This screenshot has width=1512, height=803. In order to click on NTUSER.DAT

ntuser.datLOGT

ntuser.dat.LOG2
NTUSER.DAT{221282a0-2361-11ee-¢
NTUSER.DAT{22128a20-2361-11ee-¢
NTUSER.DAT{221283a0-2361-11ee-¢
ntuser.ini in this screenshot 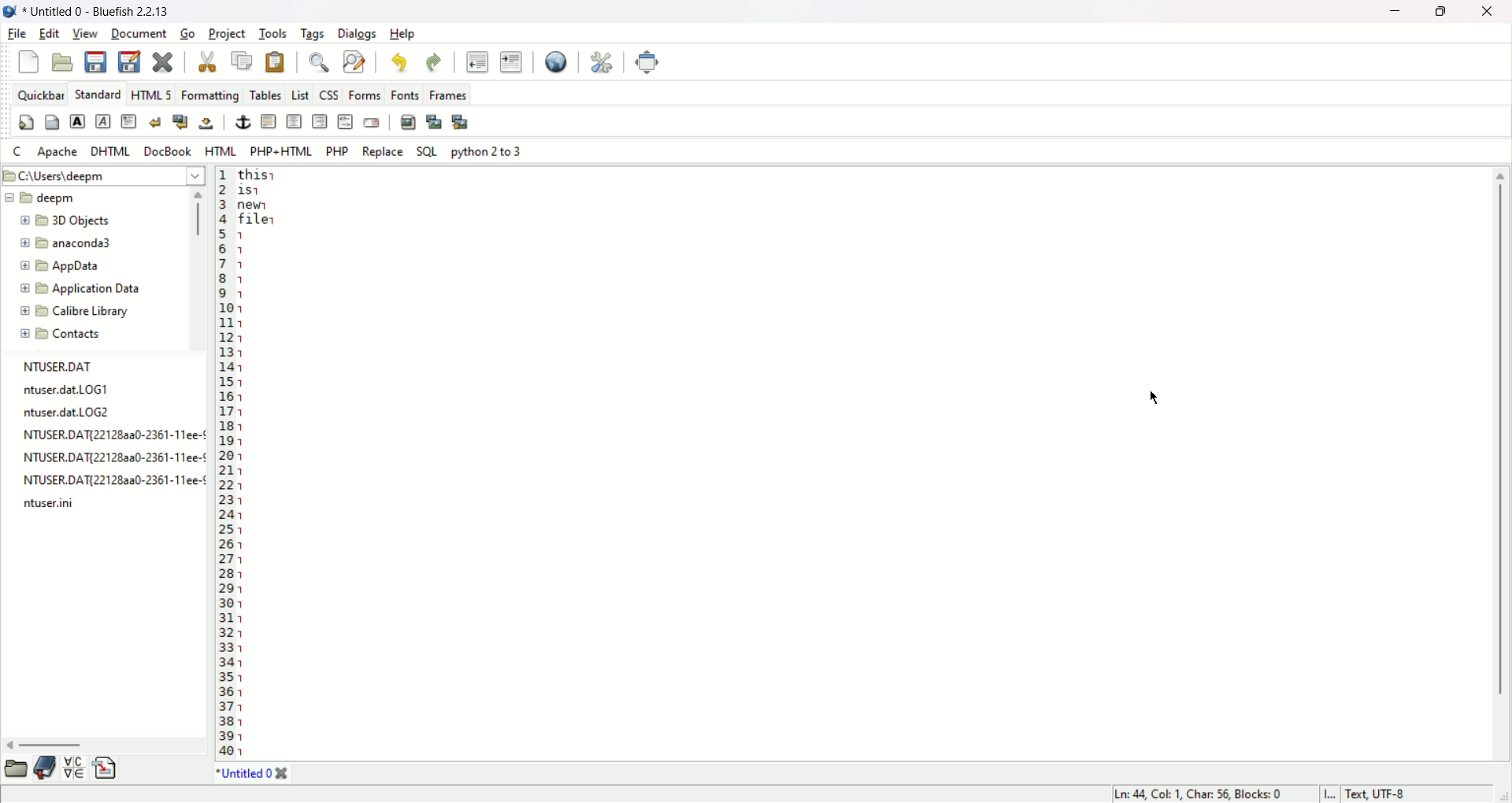, I will do `click(111, 439)`.